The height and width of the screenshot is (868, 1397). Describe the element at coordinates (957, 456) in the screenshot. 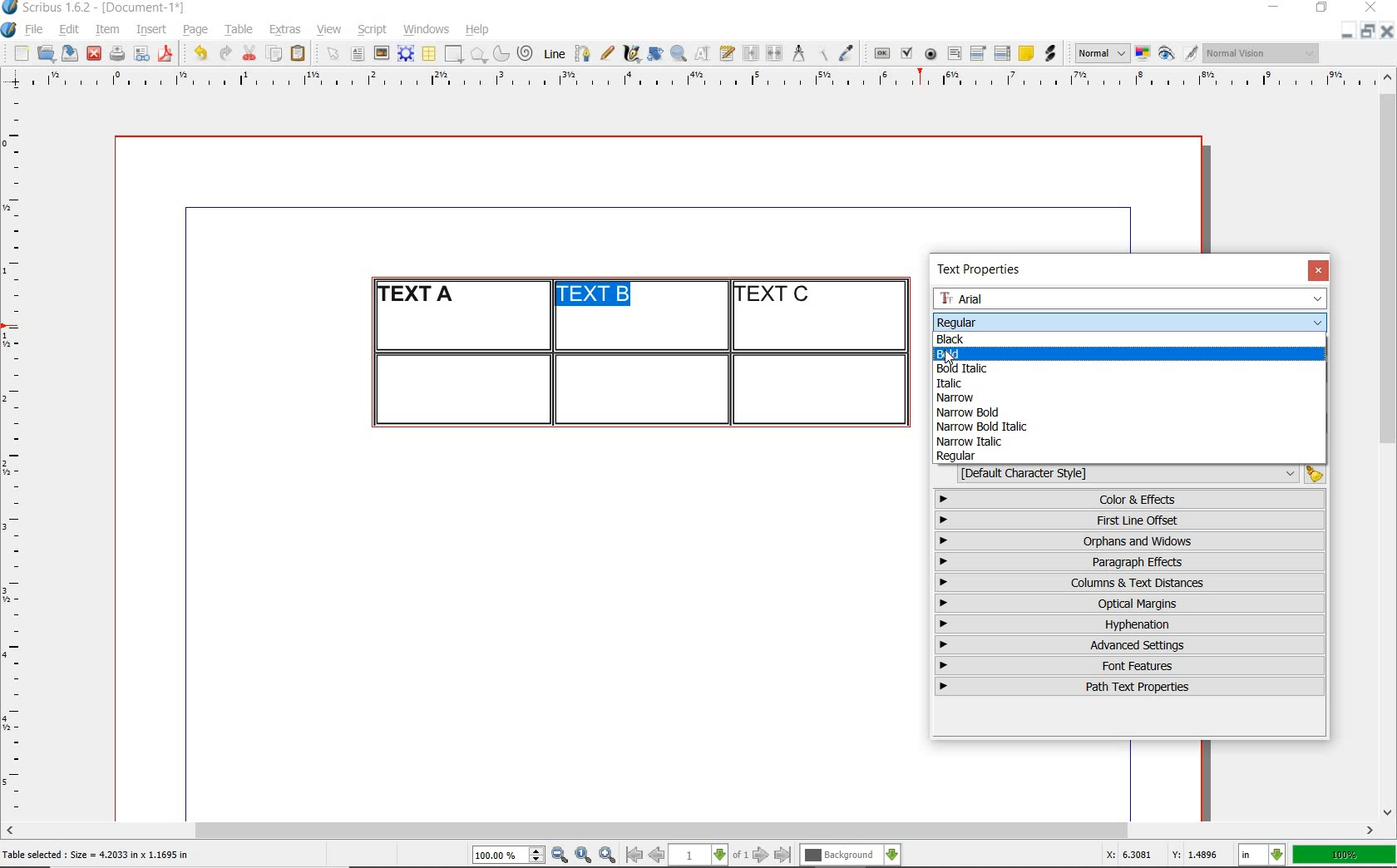

I see `regular` at that location.